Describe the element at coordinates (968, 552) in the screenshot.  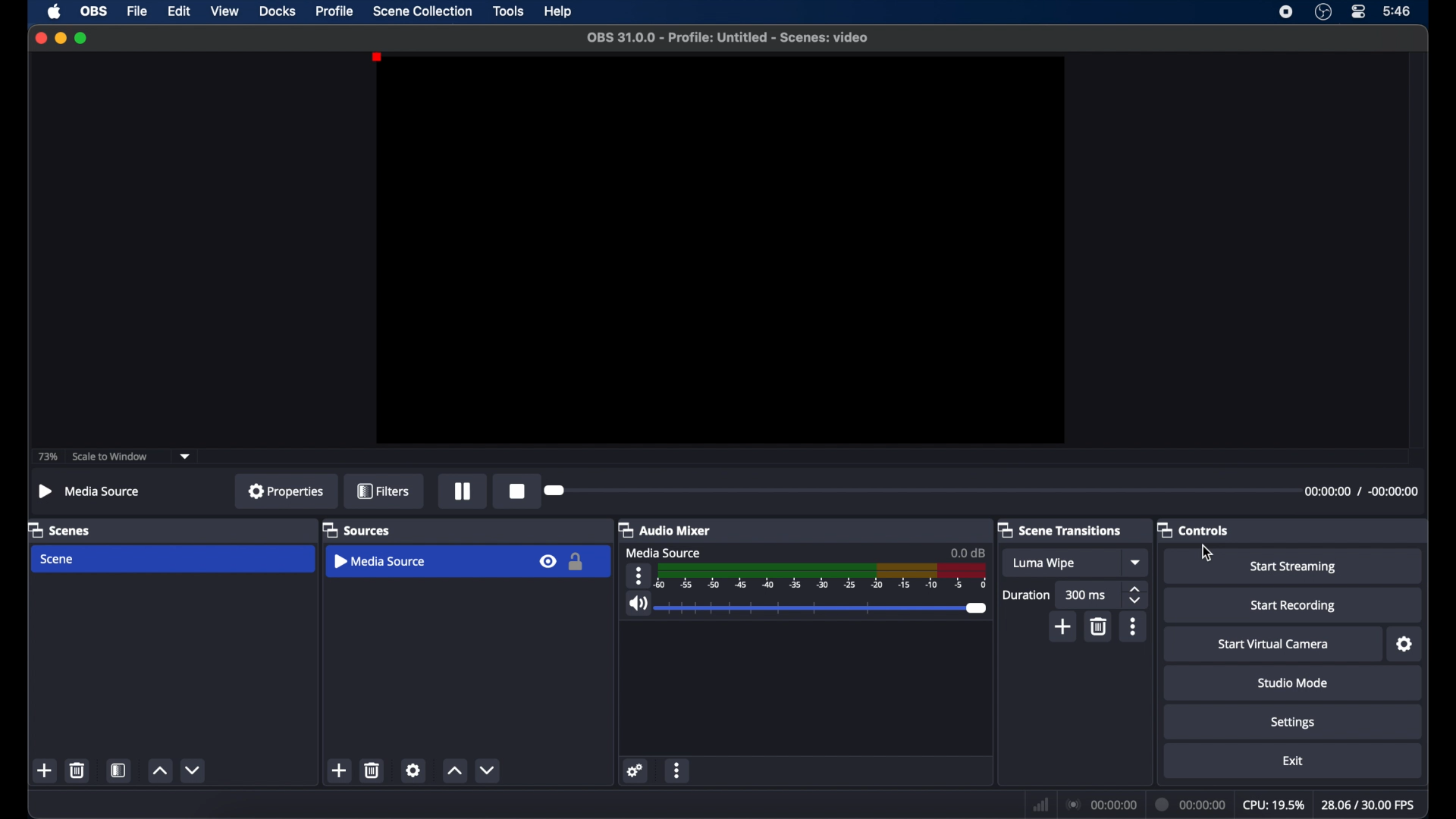
I see `0.0 db` at that location.